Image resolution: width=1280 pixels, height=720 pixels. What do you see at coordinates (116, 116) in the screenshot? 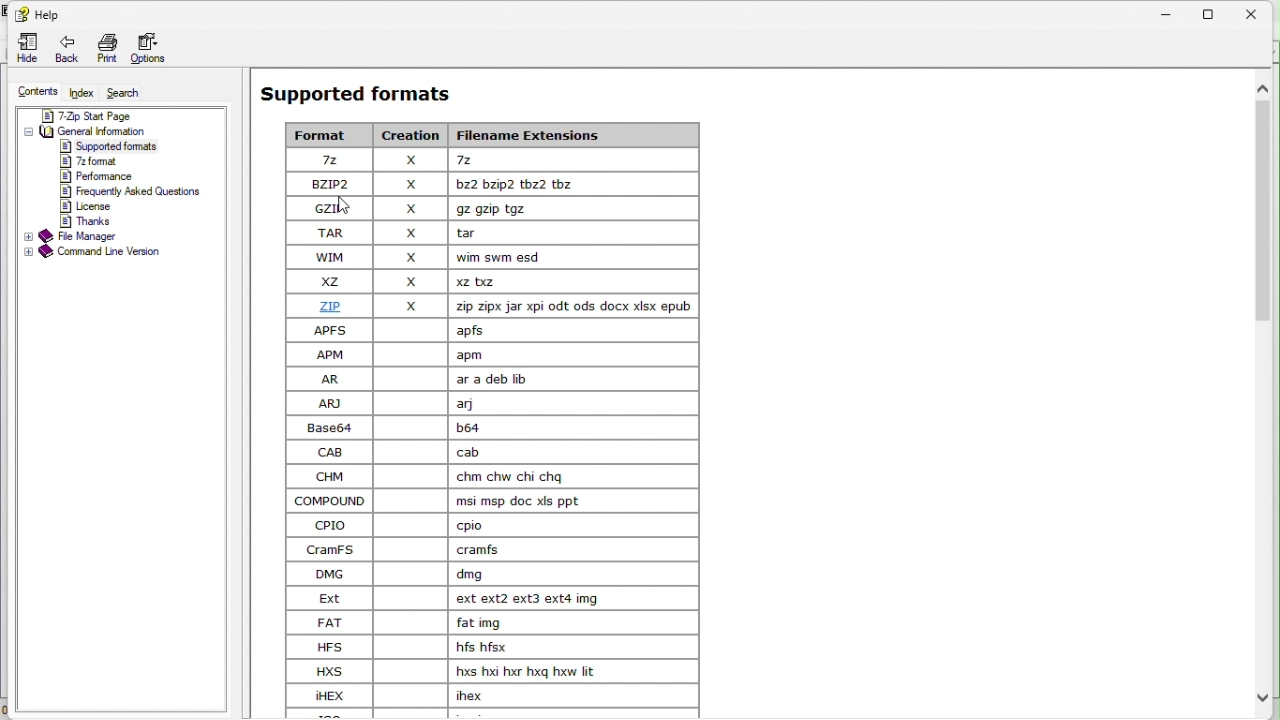
I see `7 zip start page` at bounding box center [116, 116].